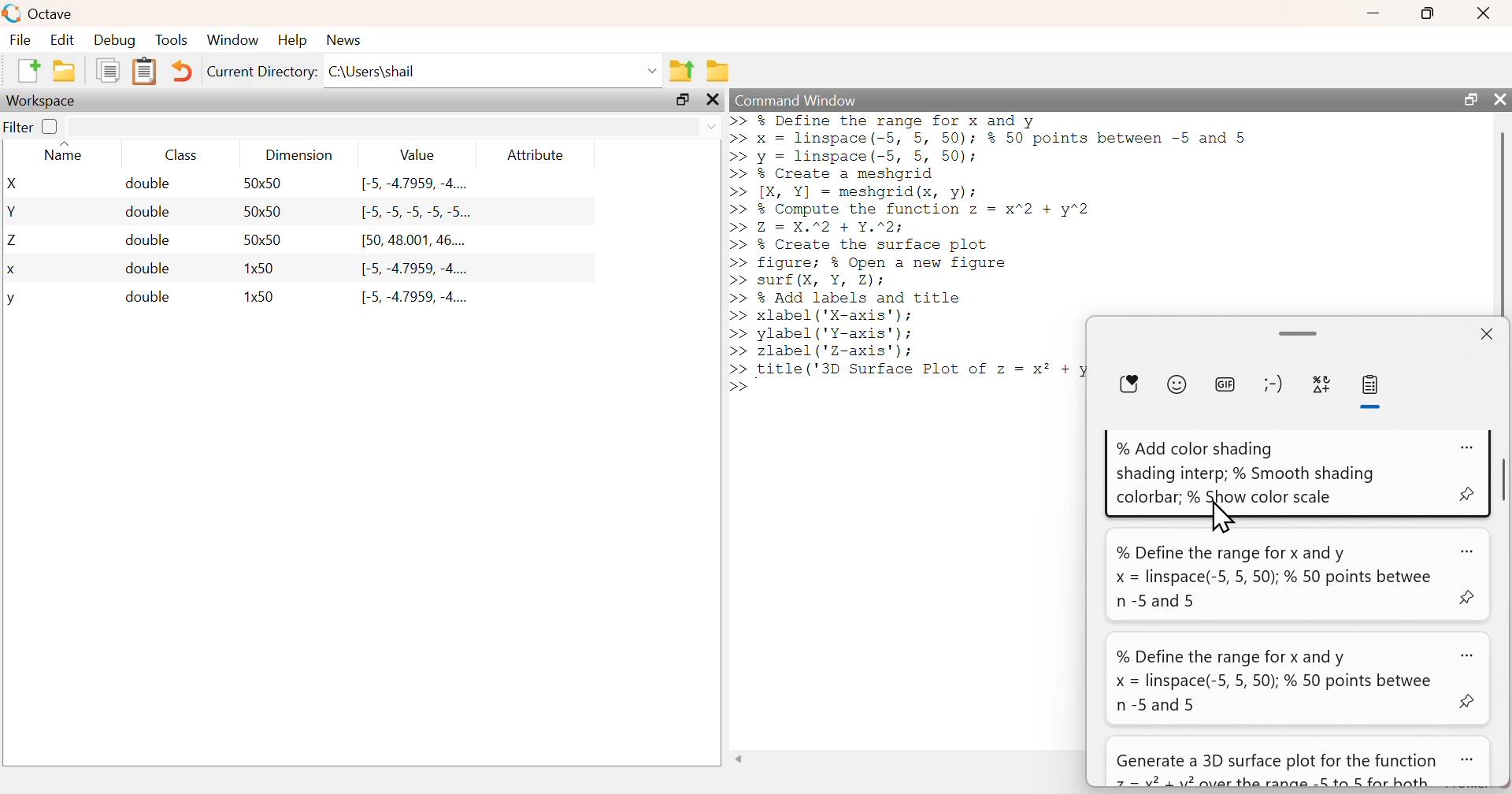  What do you see at coordinates (417, 213) in the screenshot?
I see `[-5, 5, -5, 5, -5...` at bounding box center [417, 213].